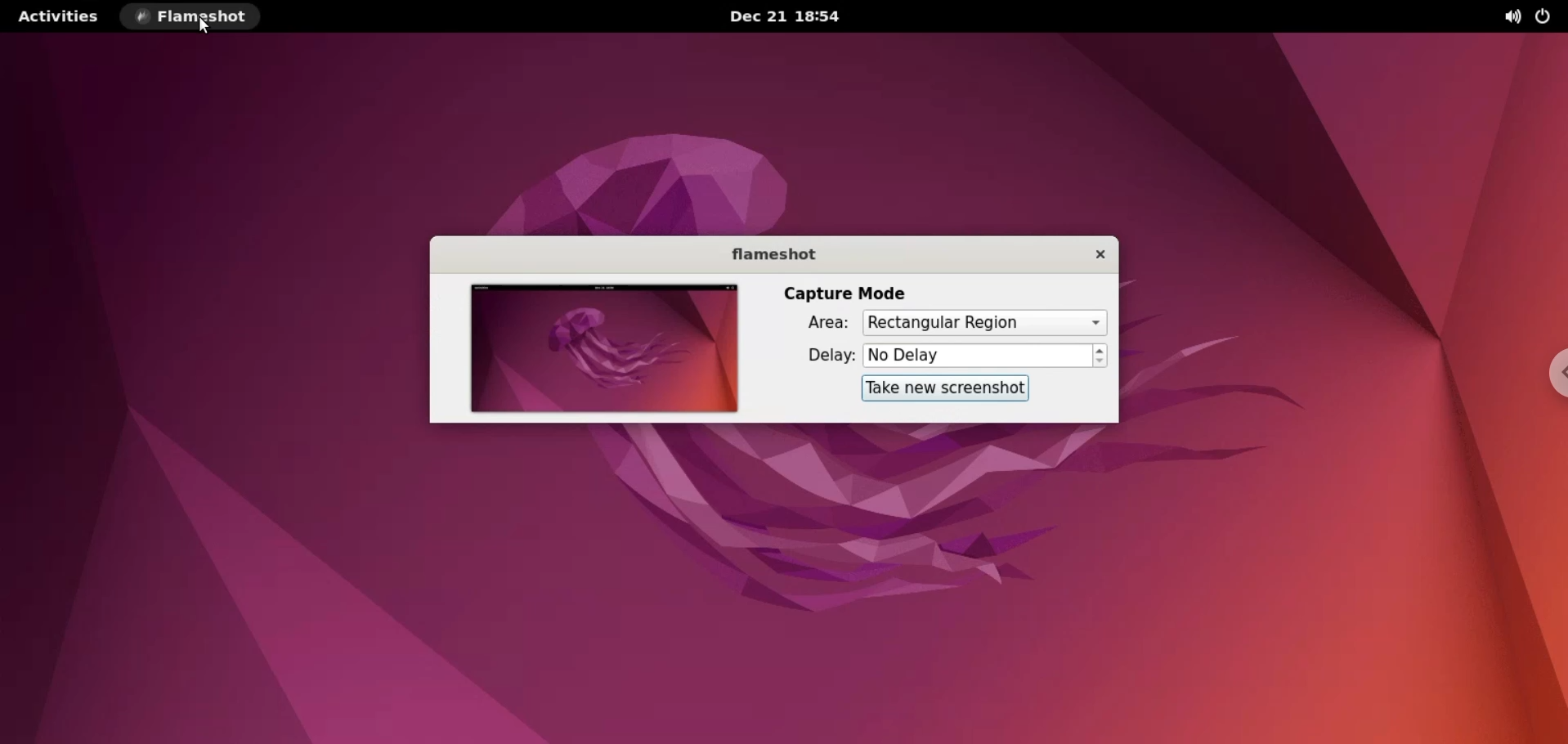 Image resolution: width=1568 pixels, height=744 pixels. What do you see at coordinates (818, 359) in the screenshot?
I see `delay ` at bounding box center [818, 359].